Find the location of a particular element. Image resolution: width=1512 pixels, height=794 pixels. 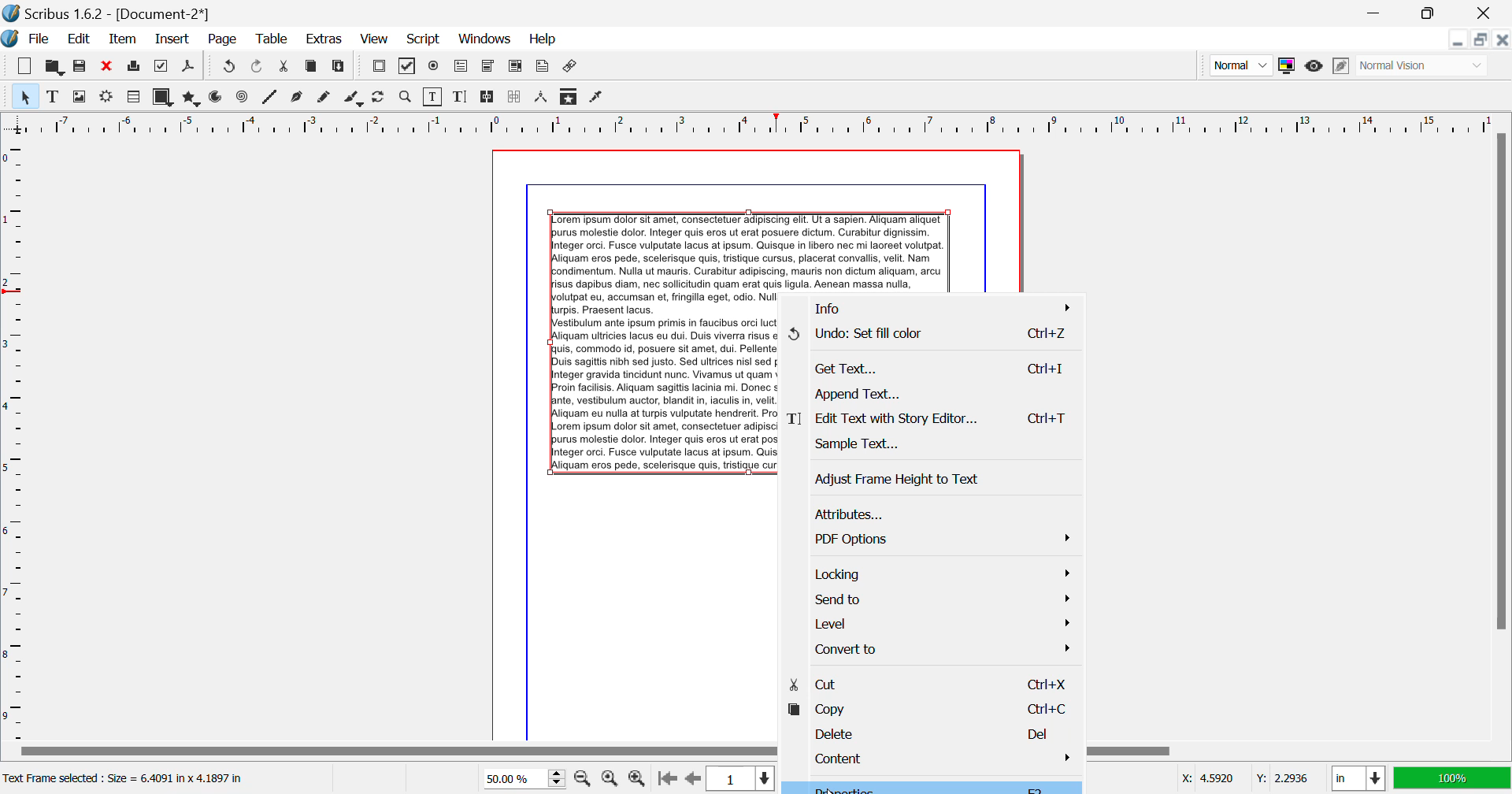

Insert is located at coordinates (173, 40).